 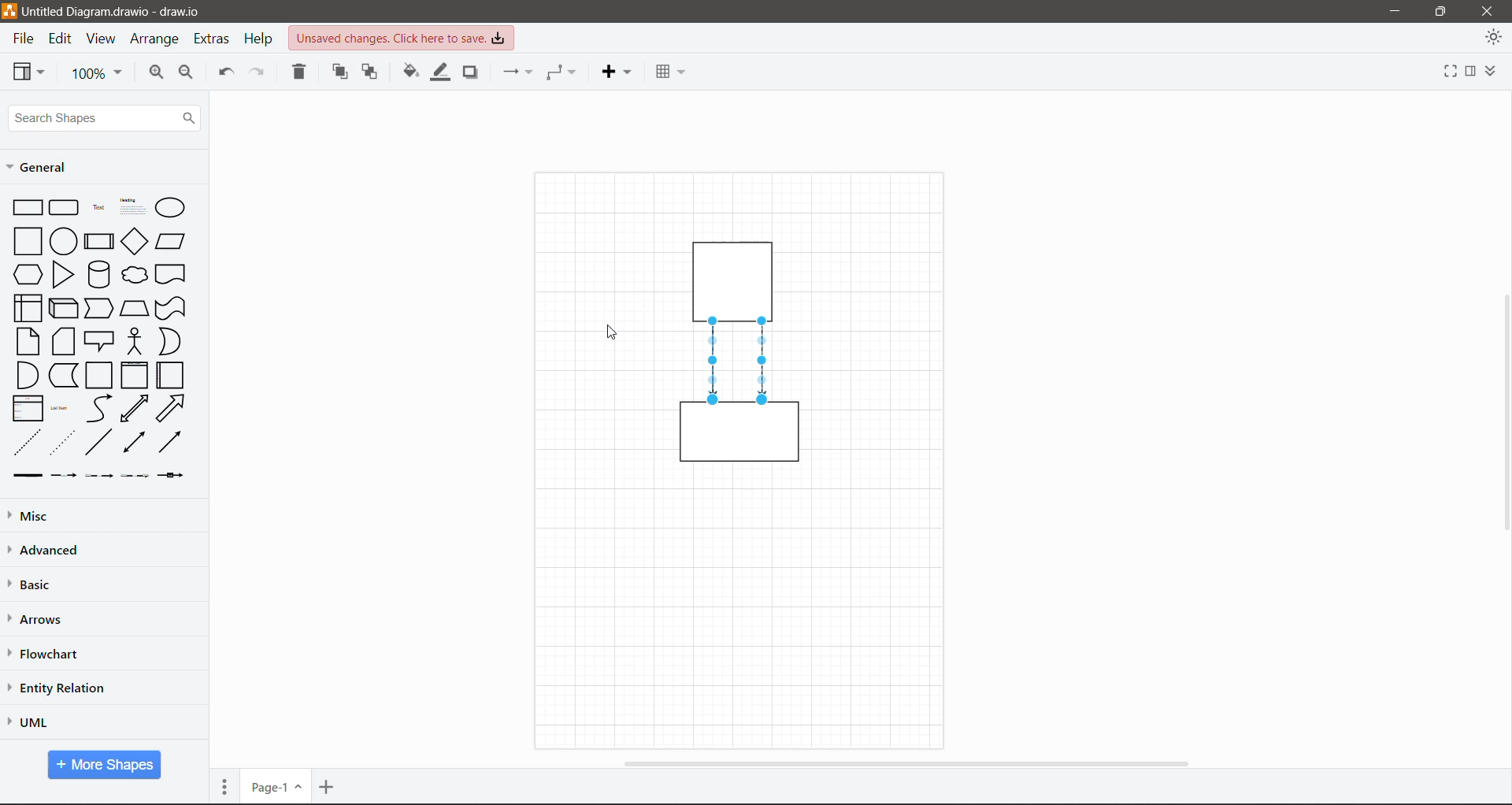 What do you see at coordinates (27, 273) in the screenshot?
I see `Hexagon` at bounding box center [27, 273].